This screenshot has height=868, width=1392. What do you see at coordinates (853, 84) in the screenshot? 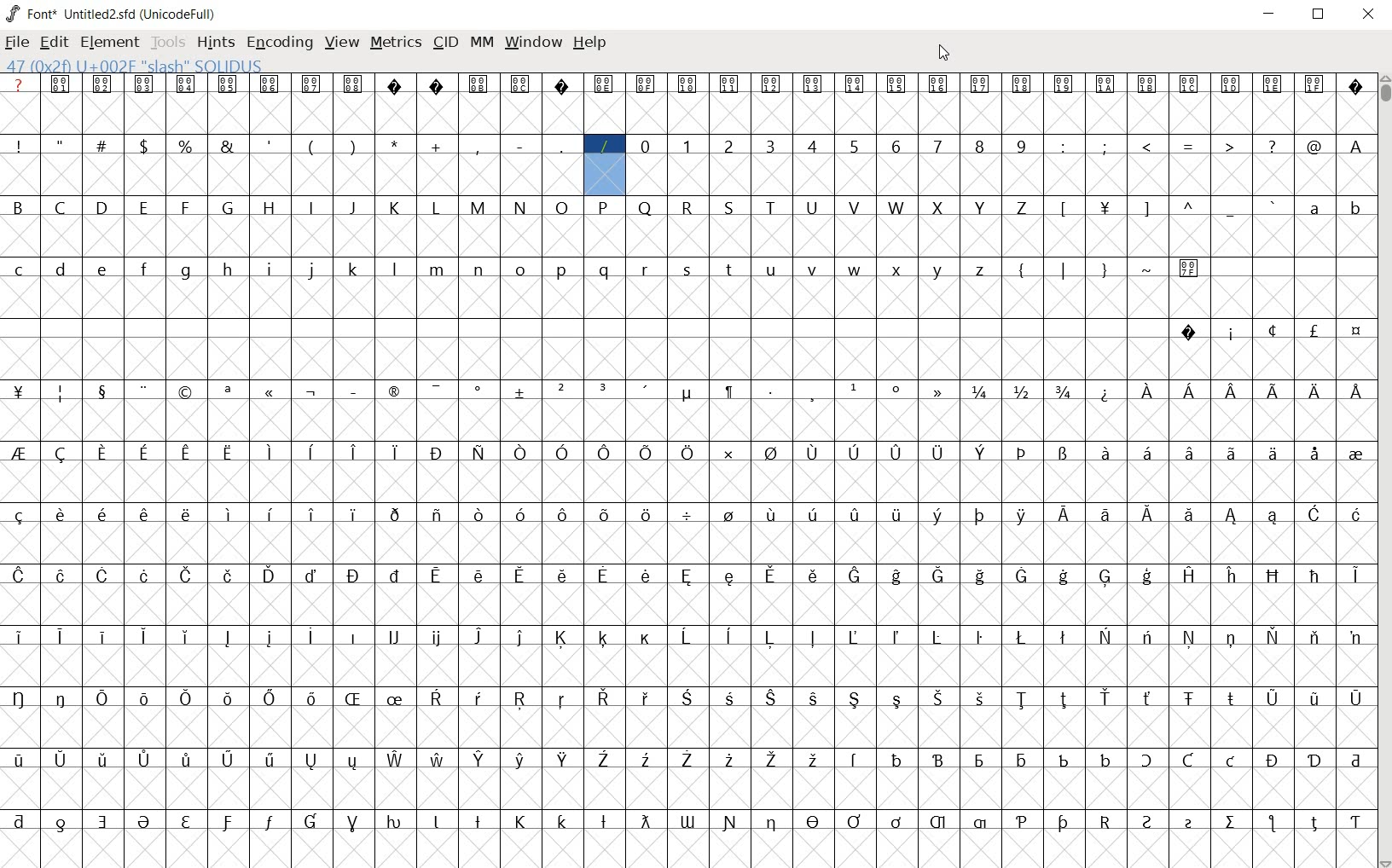
I see `glyph` at bounding box center [853, 84].